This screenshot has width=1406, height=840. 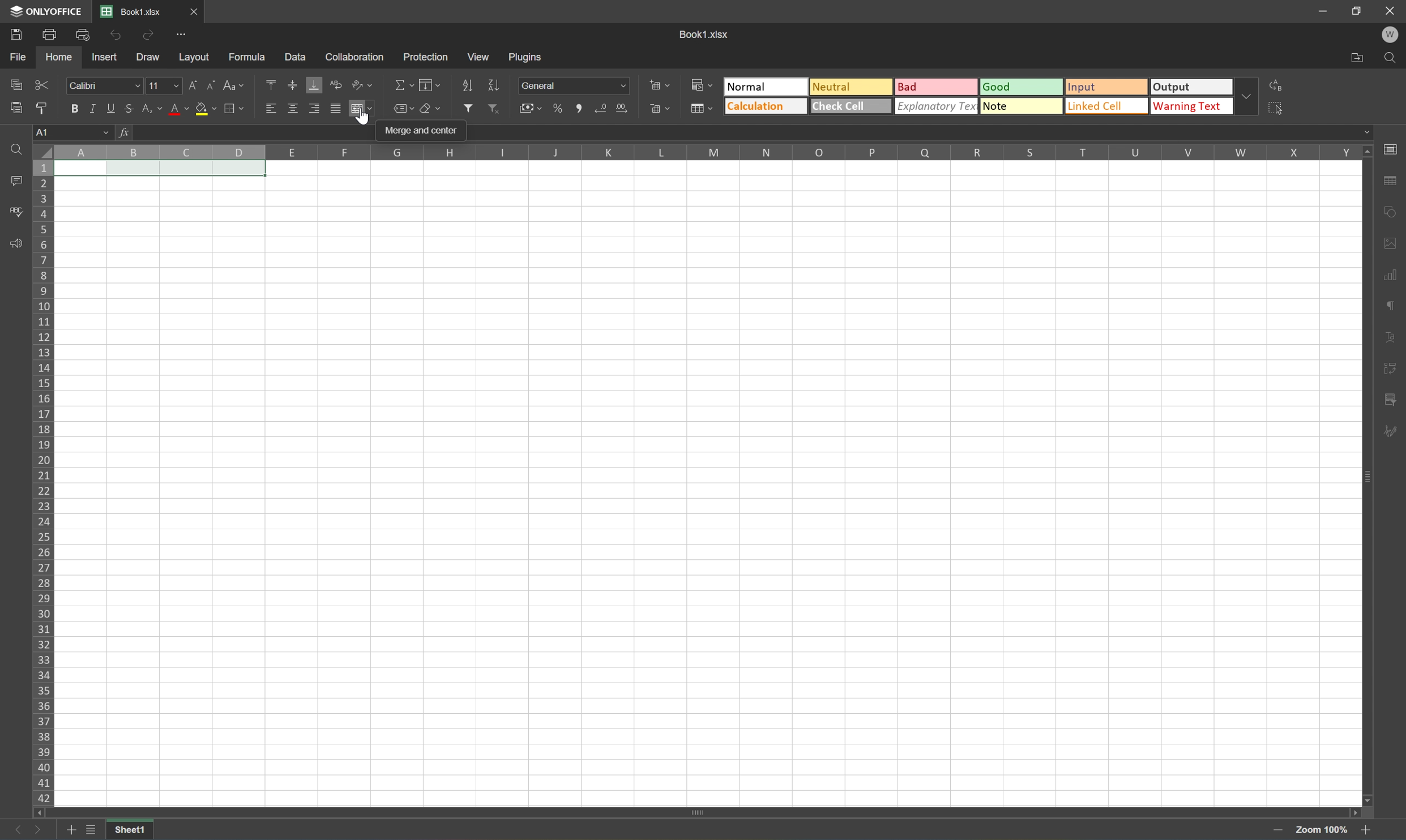 What do you see at coordinates (423, 131) in the screenshot?
I see `Merge and center` at bounding box center [423, 131].